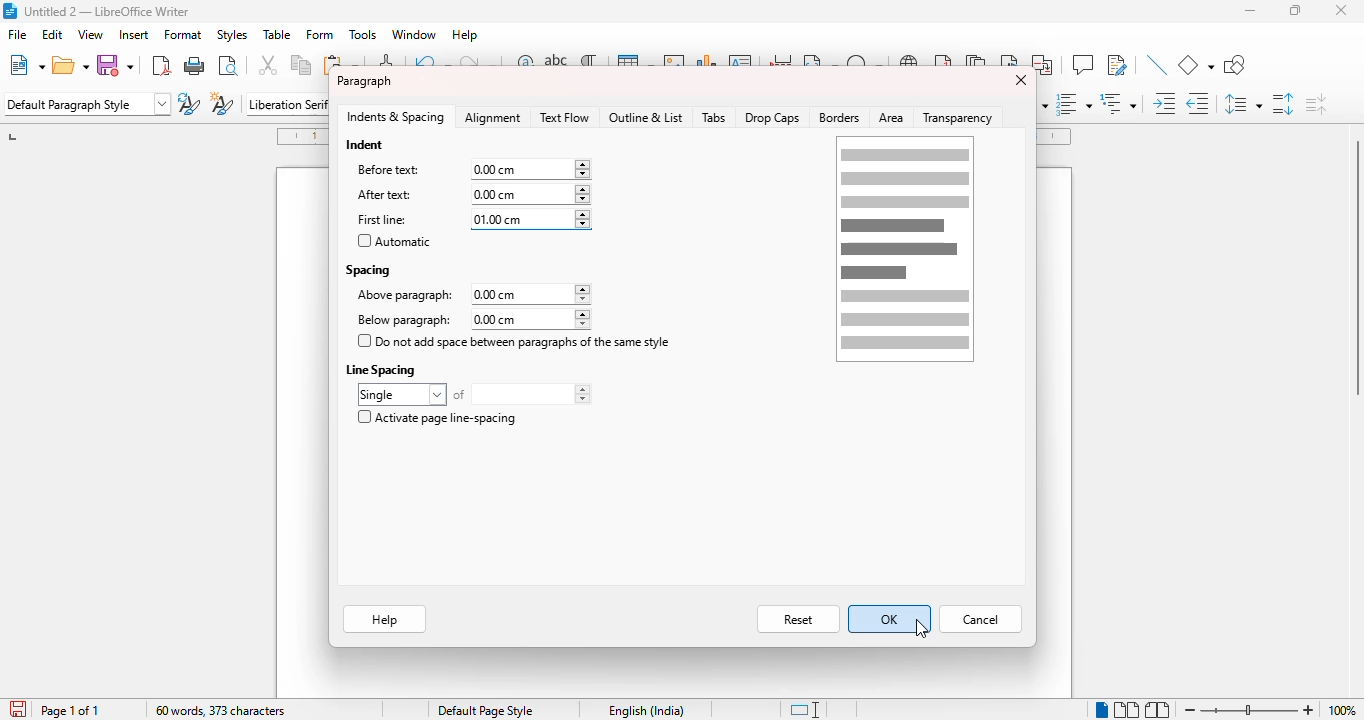 The width and height of the screenshot is (1364, 720). I want to click on select outline format, so click(1119, 103).